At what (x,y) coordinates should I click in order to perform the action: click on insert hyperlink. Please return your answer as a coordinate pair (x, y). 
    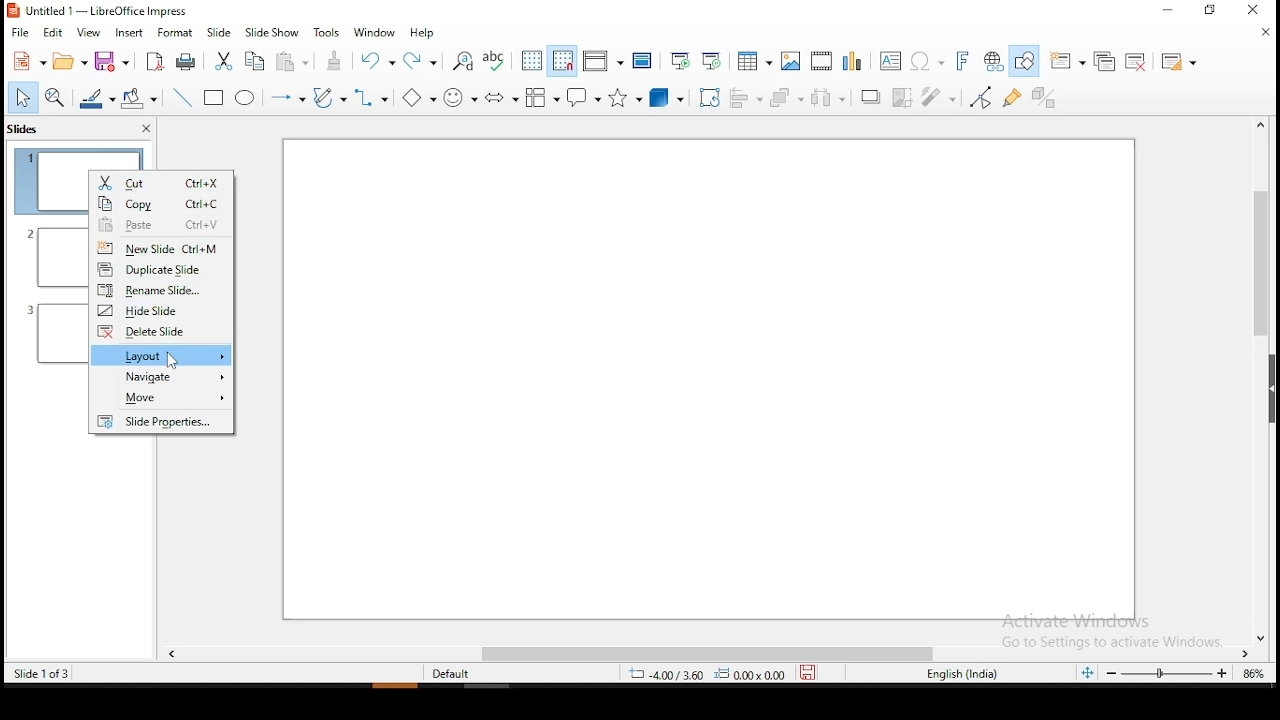
    Looking at the image, I should click on (995, 60).